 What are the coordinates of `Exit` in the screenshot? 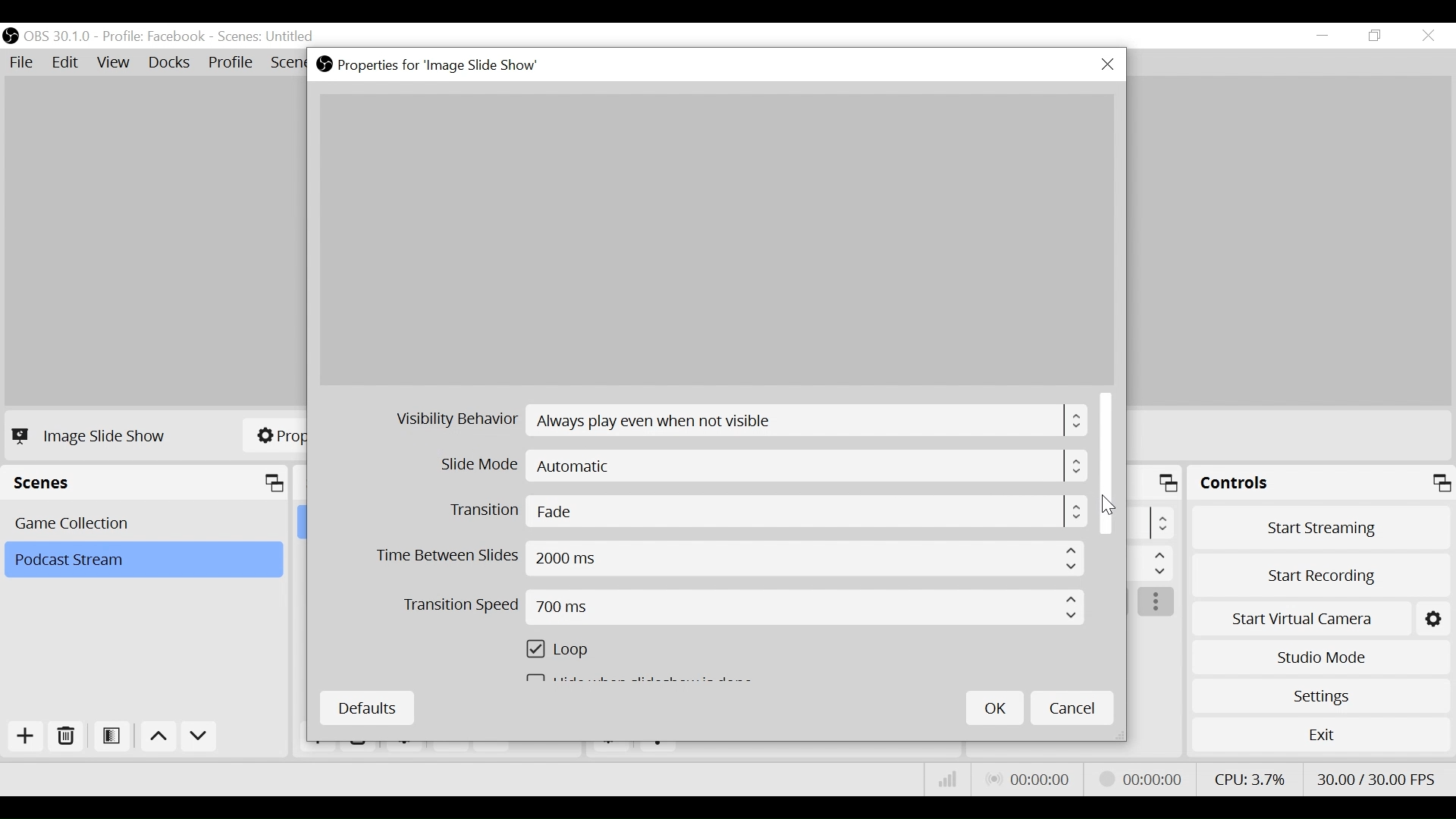 It's located at (1321, 738).